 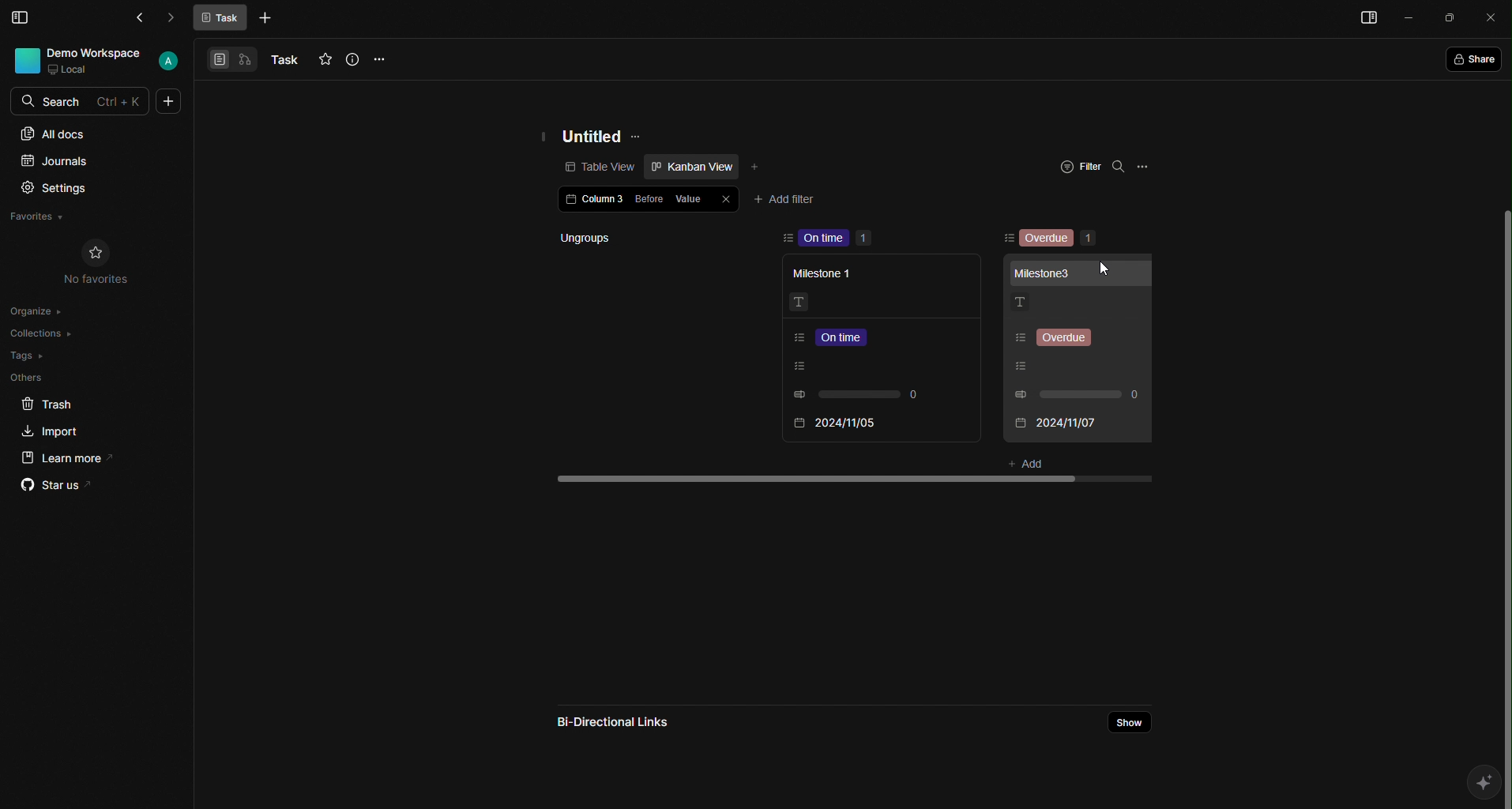 What do you see at coordinates (835, 423) in the screenshot?
I see `2024/11/07` at bounding box center [835, 423].